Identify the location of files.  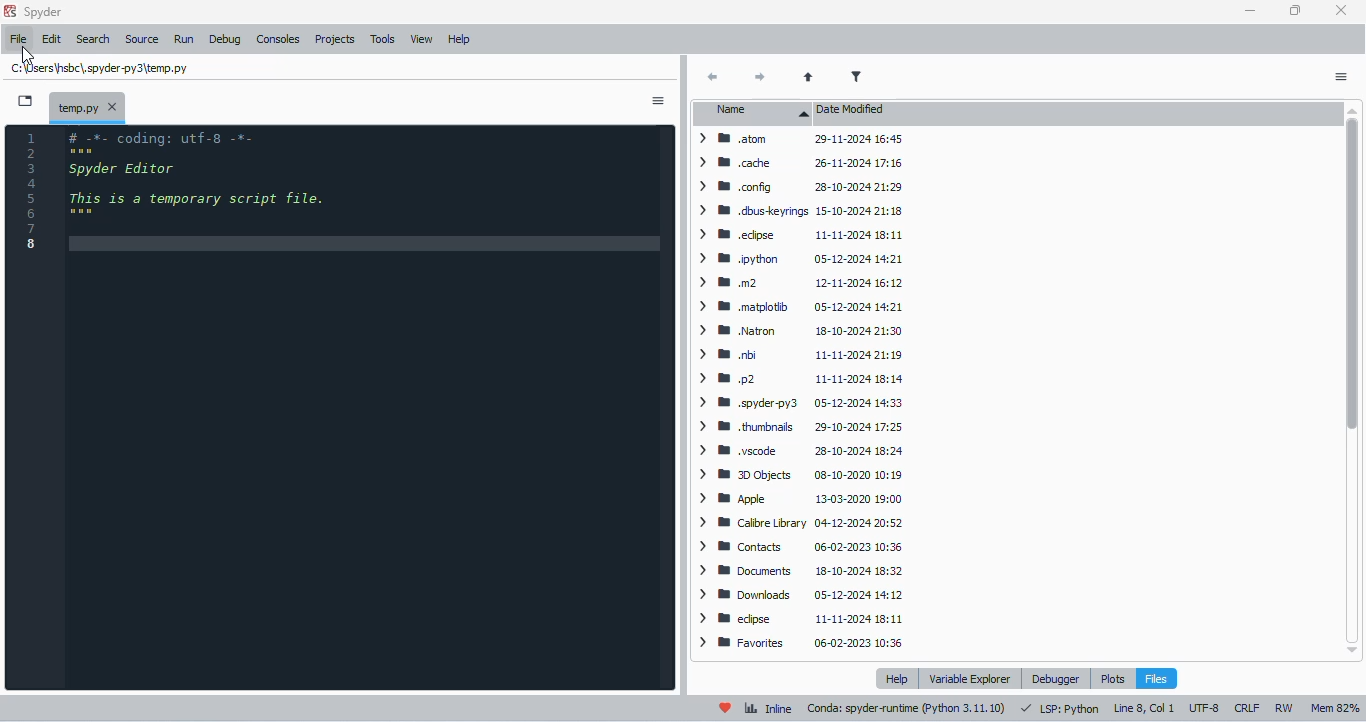
(1157, 679).